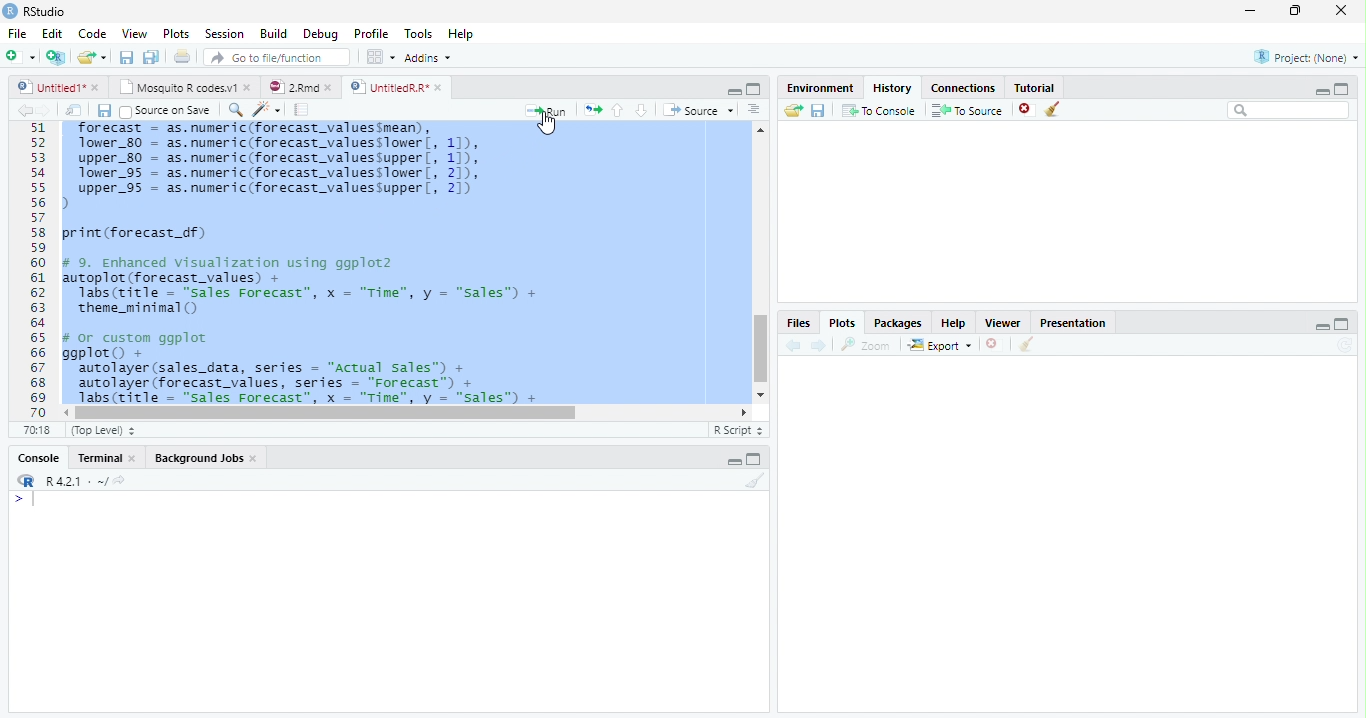 The image size is (1366, 718). What do you see at coordinates (405, 412) in the screenshot?
I see `Scroll` at bounding box center [405, 412].